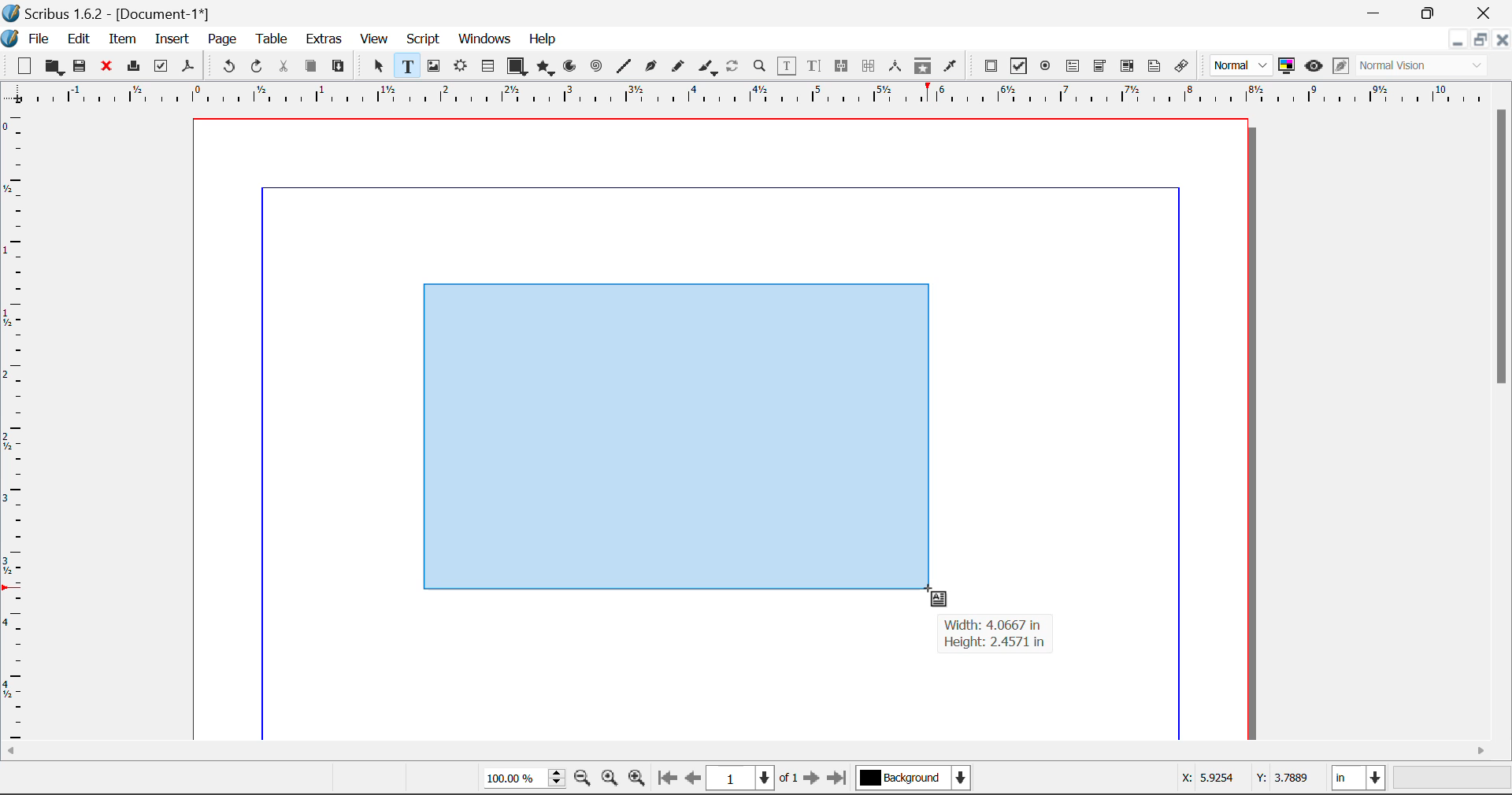  What do you see at coordinates (814, 781) in the screenshot?
I see `Next Page` at bounding box center [814, 781].